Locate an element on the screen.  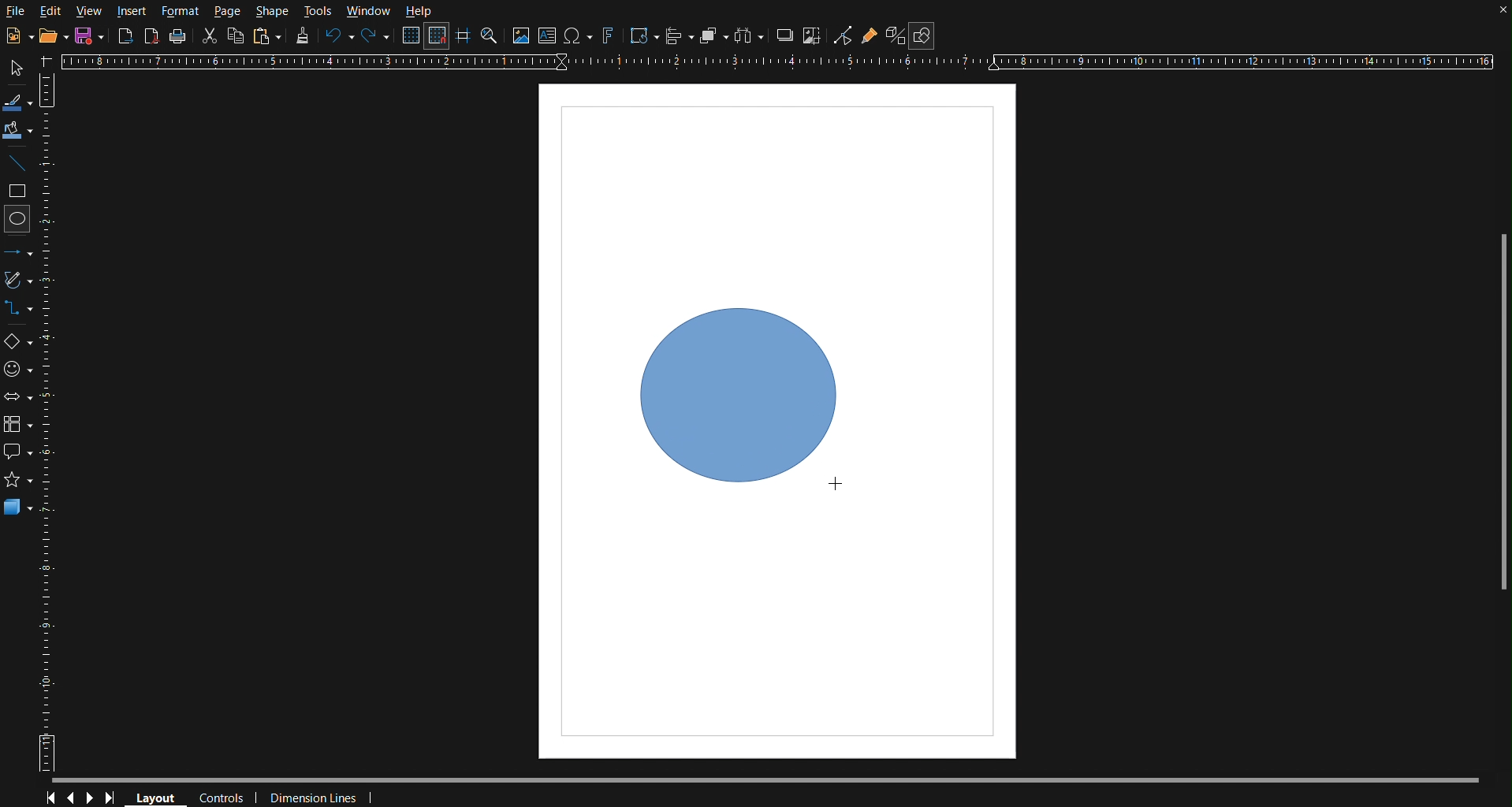
Copy is located at coordinates (236, 35).